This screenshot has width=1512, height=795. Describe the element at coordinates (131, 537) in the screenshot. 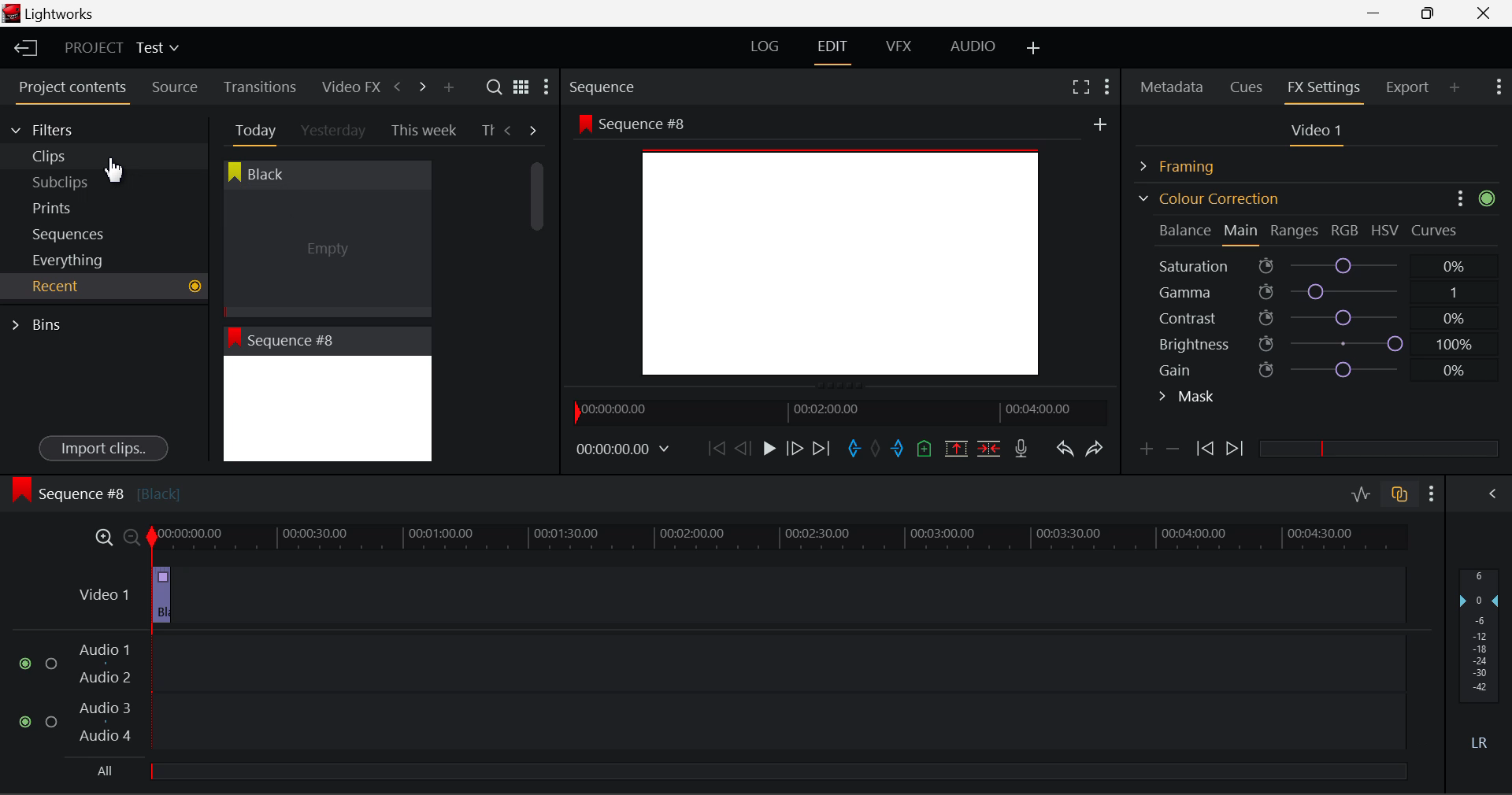

I see `Timeline Zoom Out` at that location.